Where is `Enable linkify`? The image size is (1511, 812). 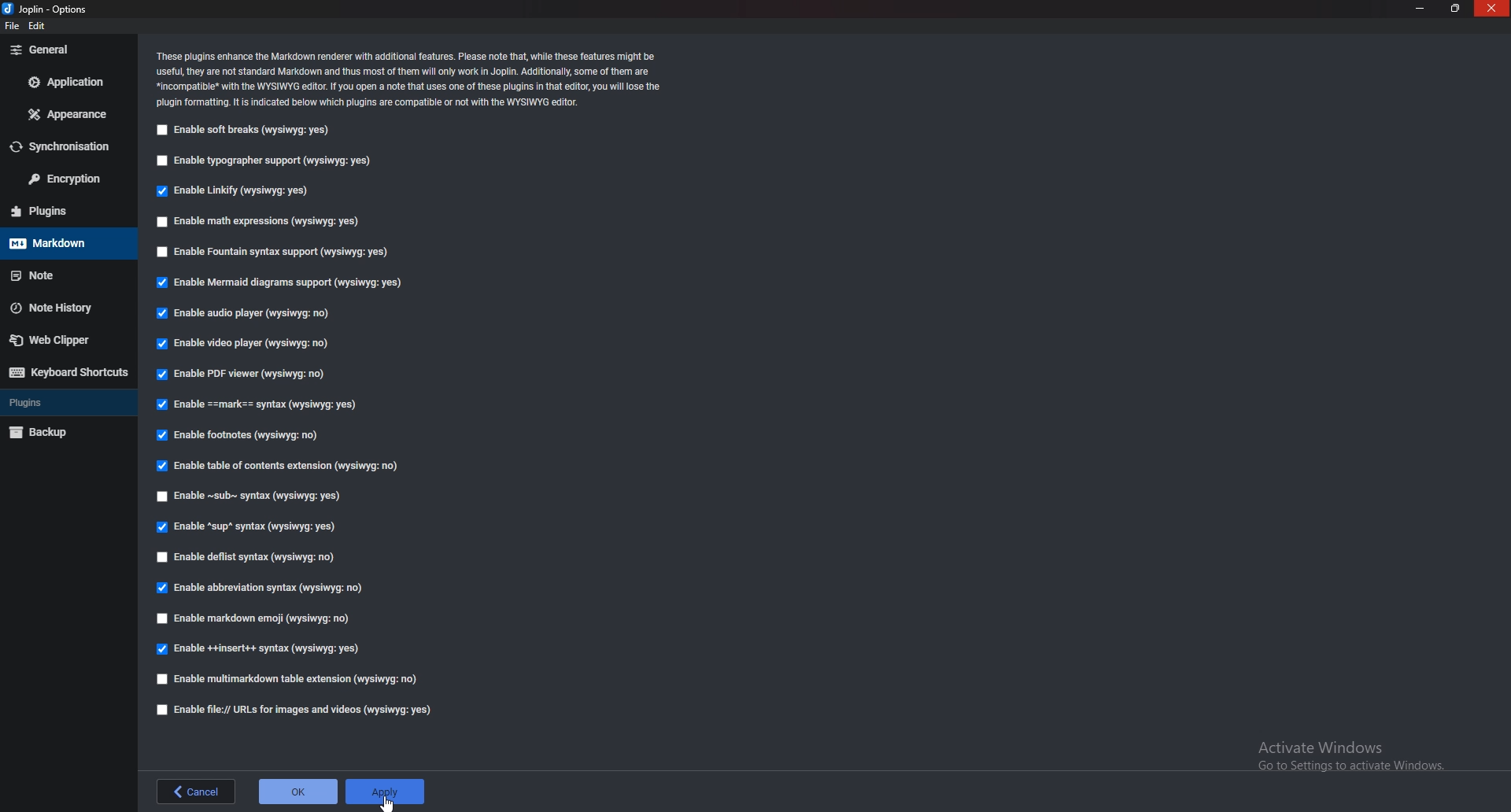
Enable linkify is located at coordinates (236, 190).